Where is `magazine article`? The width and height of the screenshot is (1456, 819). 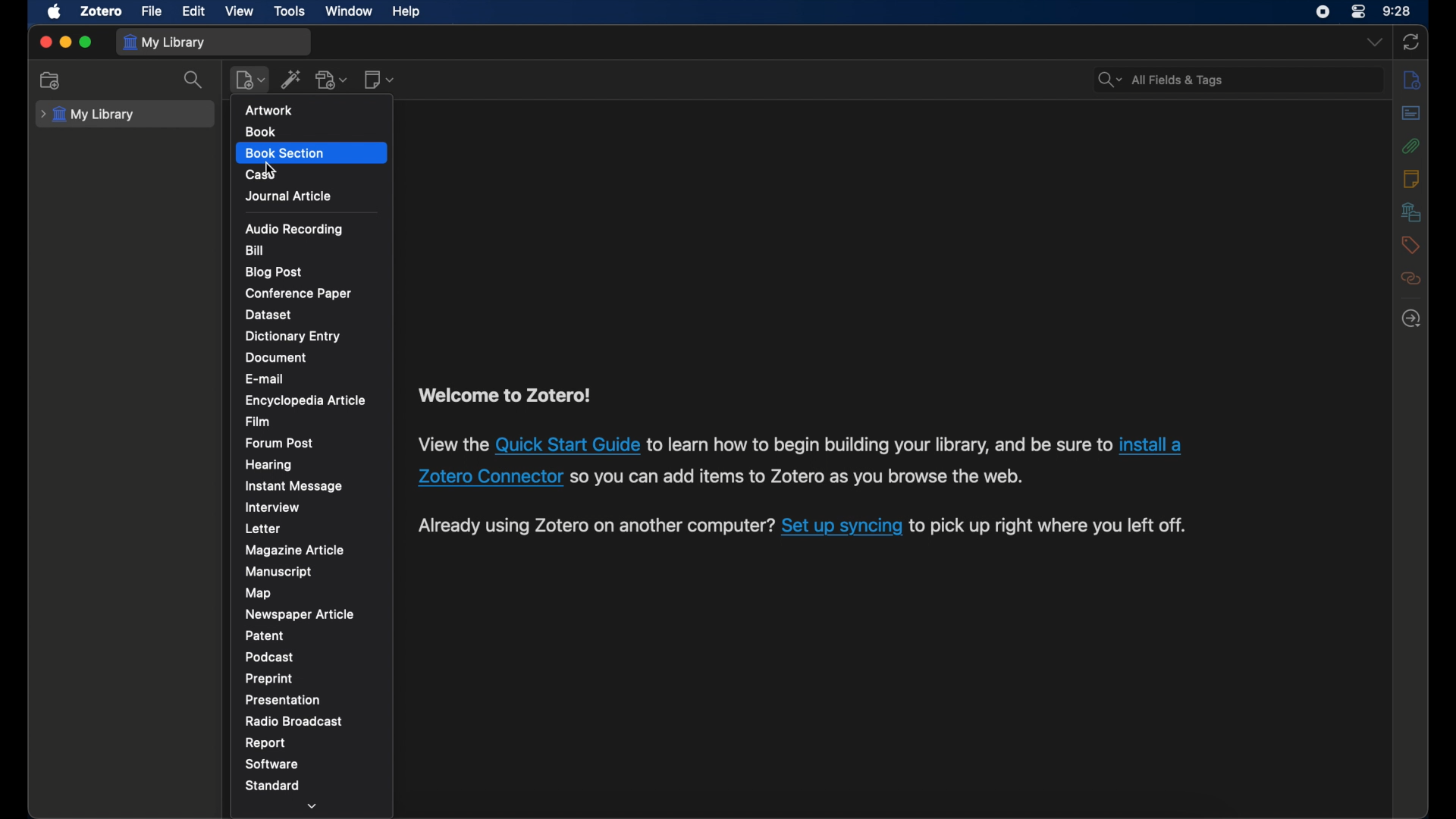
magazine article is located at coordinates (297, 550).